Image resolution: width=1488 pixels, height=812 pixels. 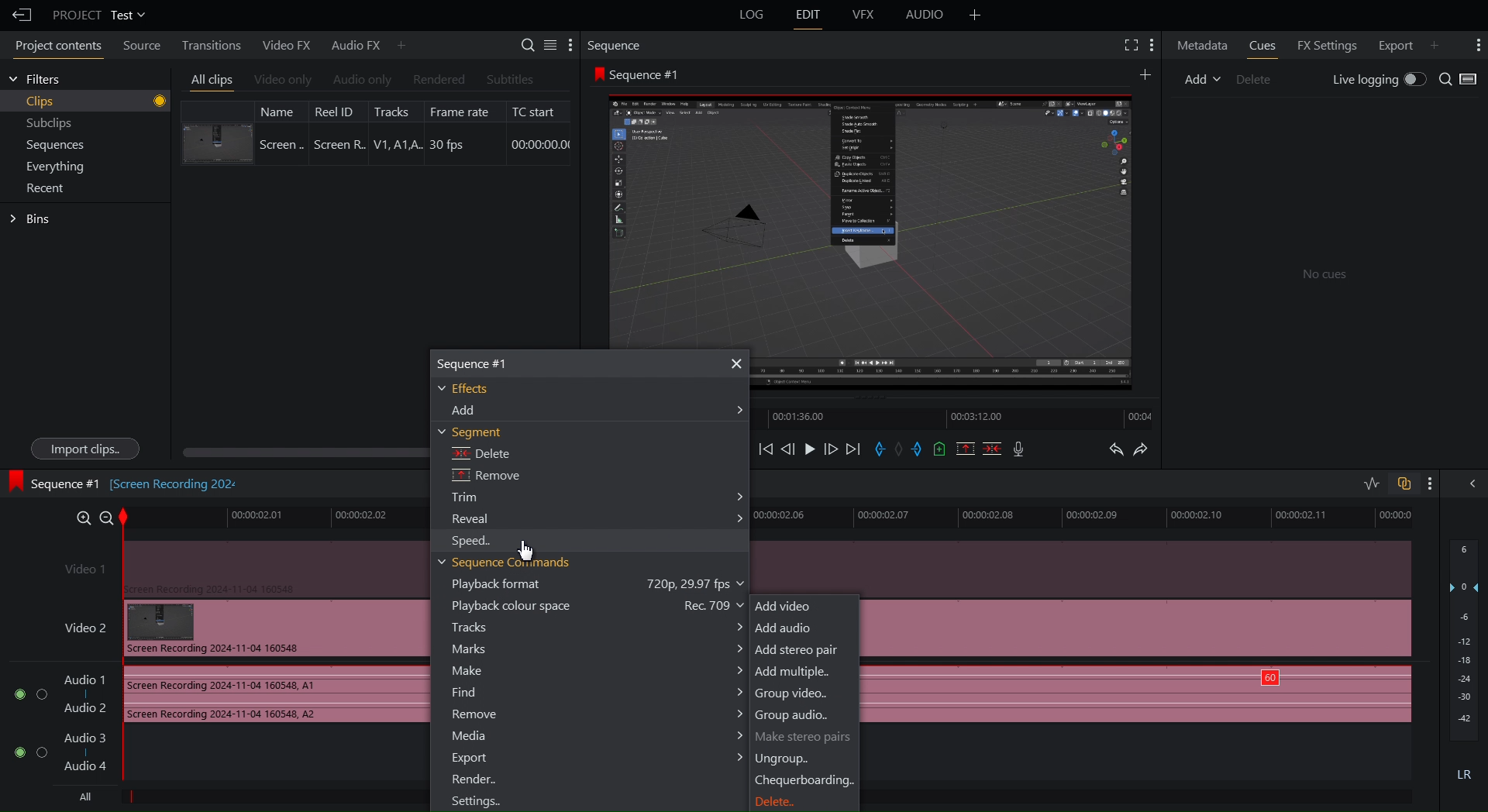 I want to click on Subtitles, so click(x=511, y=79).